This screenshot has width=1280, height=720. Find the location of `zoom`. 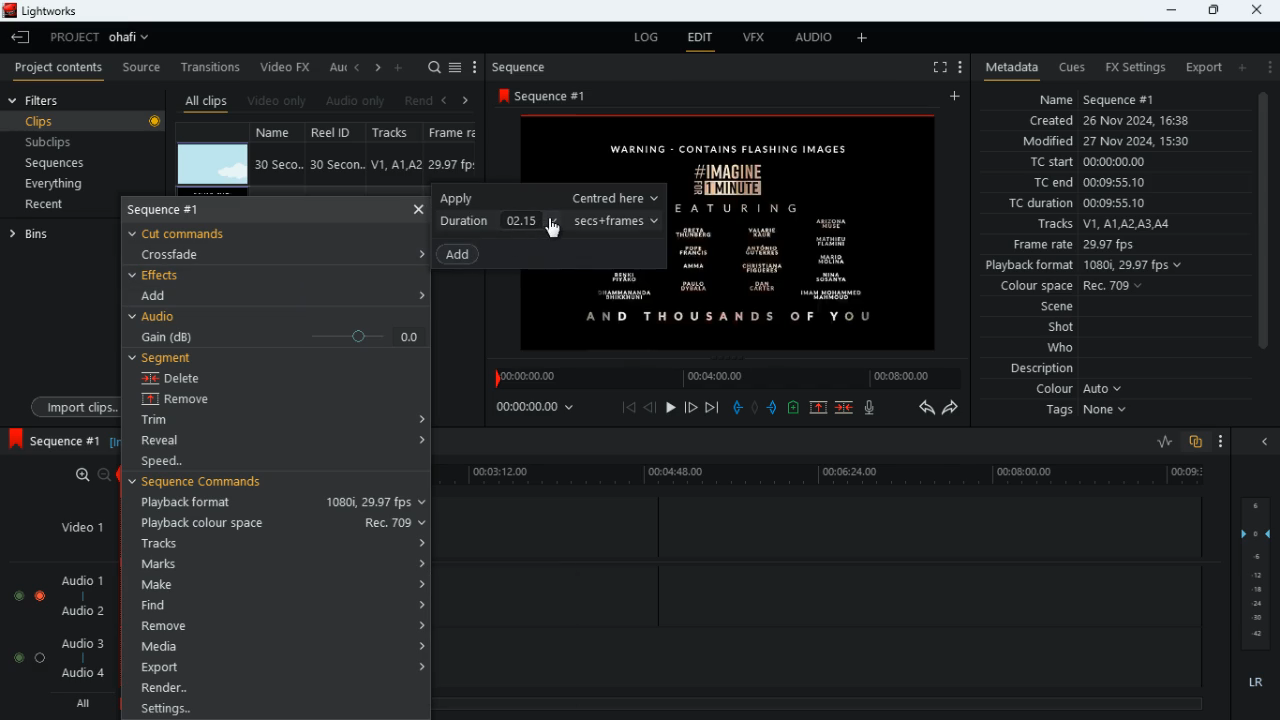

zoom is located at coordinates (85, 475).